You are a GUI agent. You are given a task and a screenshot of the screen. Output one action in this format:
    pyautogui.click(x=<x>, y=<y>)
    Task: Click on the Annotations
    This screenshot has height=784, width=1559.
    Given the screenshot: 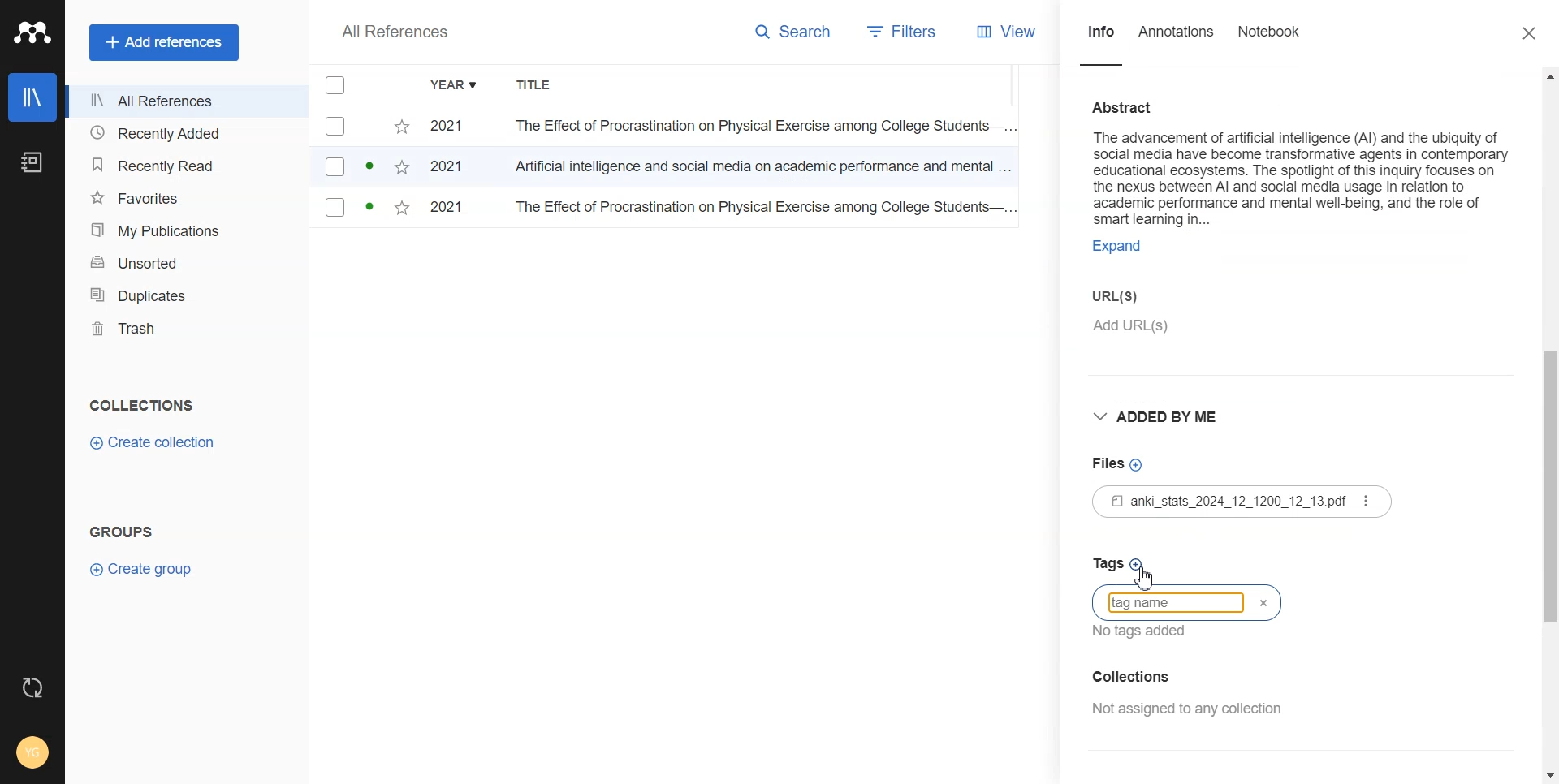 What is the action you would take?
    pyautogui.click(x=1177, y=41)
    